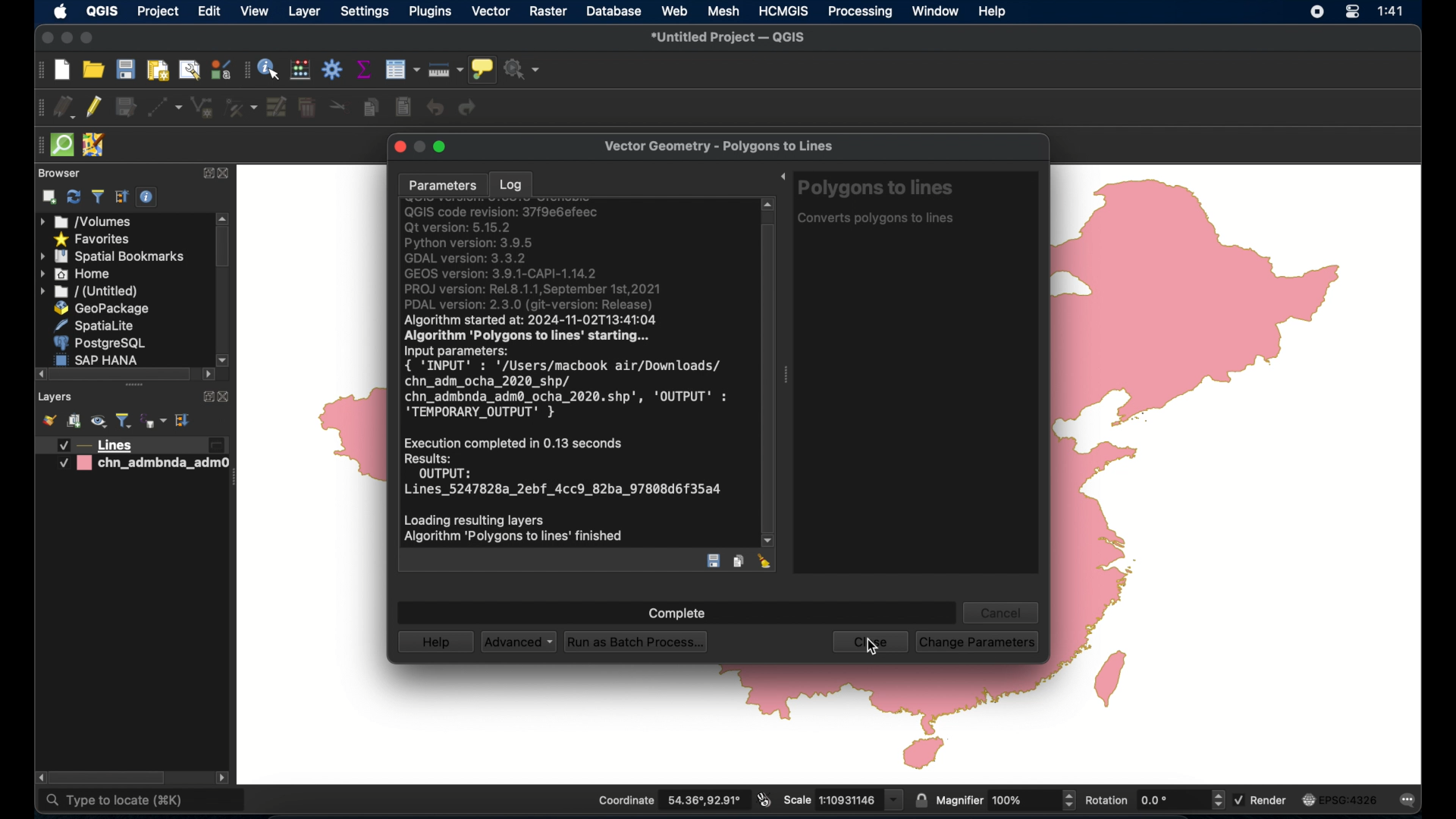  What do you see at coordinates (333, 69) in the screenshot?
I see `toolbox` at bounding box center [333, 69].